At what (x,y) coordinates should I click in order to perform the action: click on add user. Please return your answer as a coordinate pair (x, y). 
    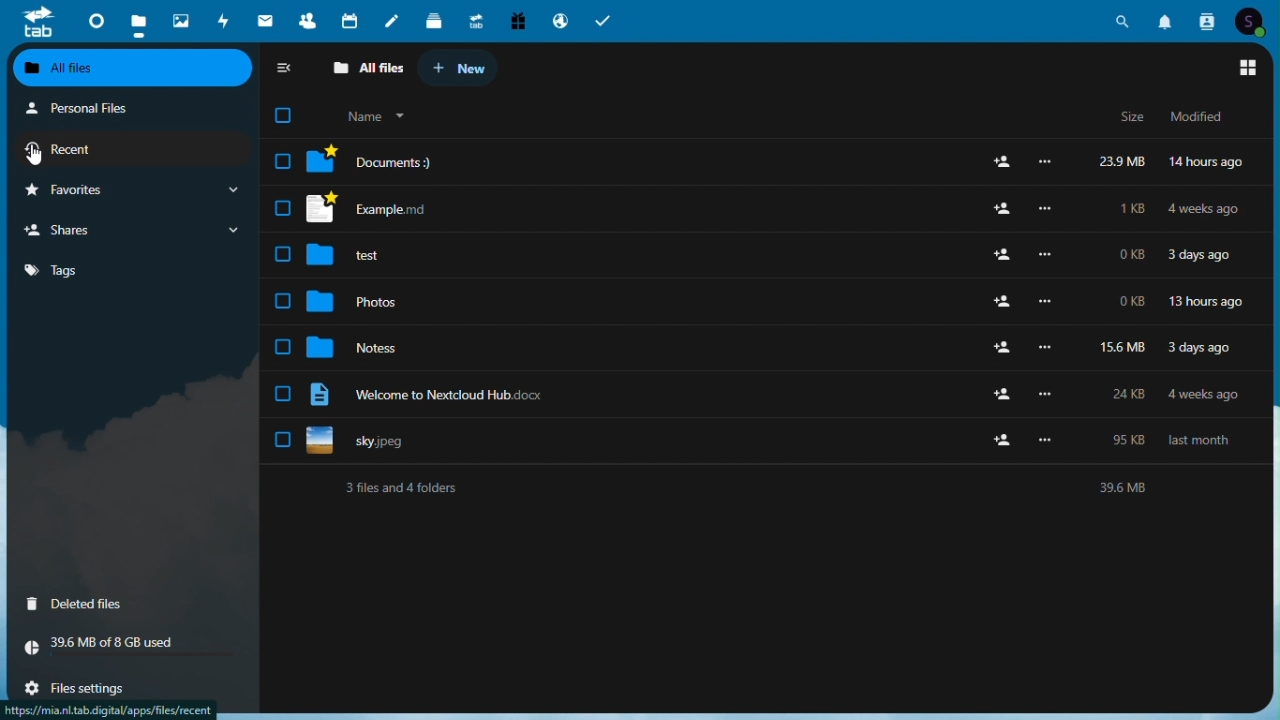
    Looking at the image, I should click on (1002, 302).